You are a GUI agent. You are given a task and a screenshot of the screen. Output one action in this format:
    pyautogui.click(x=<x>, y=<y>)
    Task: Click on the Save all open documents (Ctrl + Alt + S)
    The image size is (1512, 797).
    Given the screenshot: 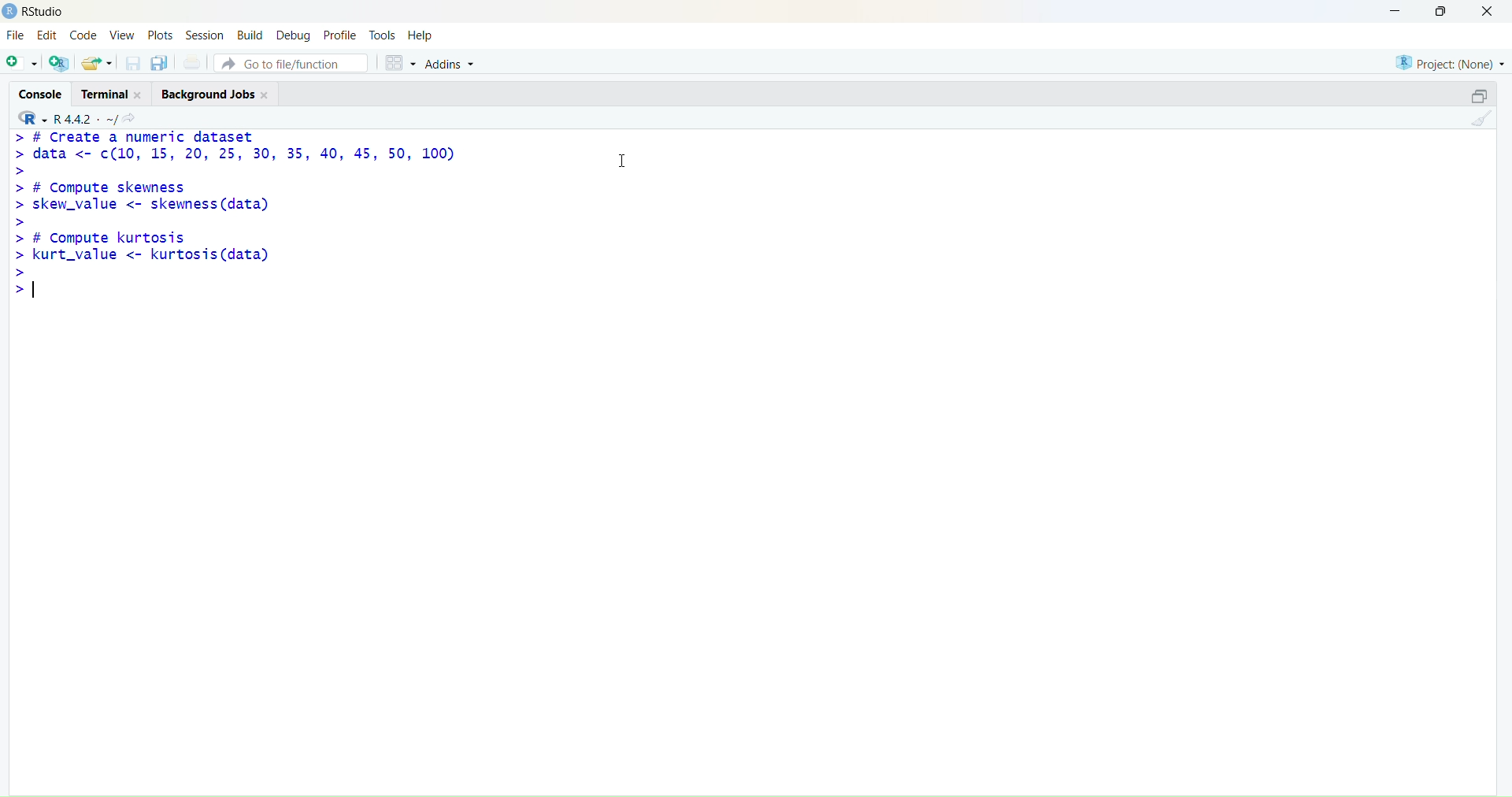 What is the action you would take?
    pyautogui.click(x=160, y=64)
    